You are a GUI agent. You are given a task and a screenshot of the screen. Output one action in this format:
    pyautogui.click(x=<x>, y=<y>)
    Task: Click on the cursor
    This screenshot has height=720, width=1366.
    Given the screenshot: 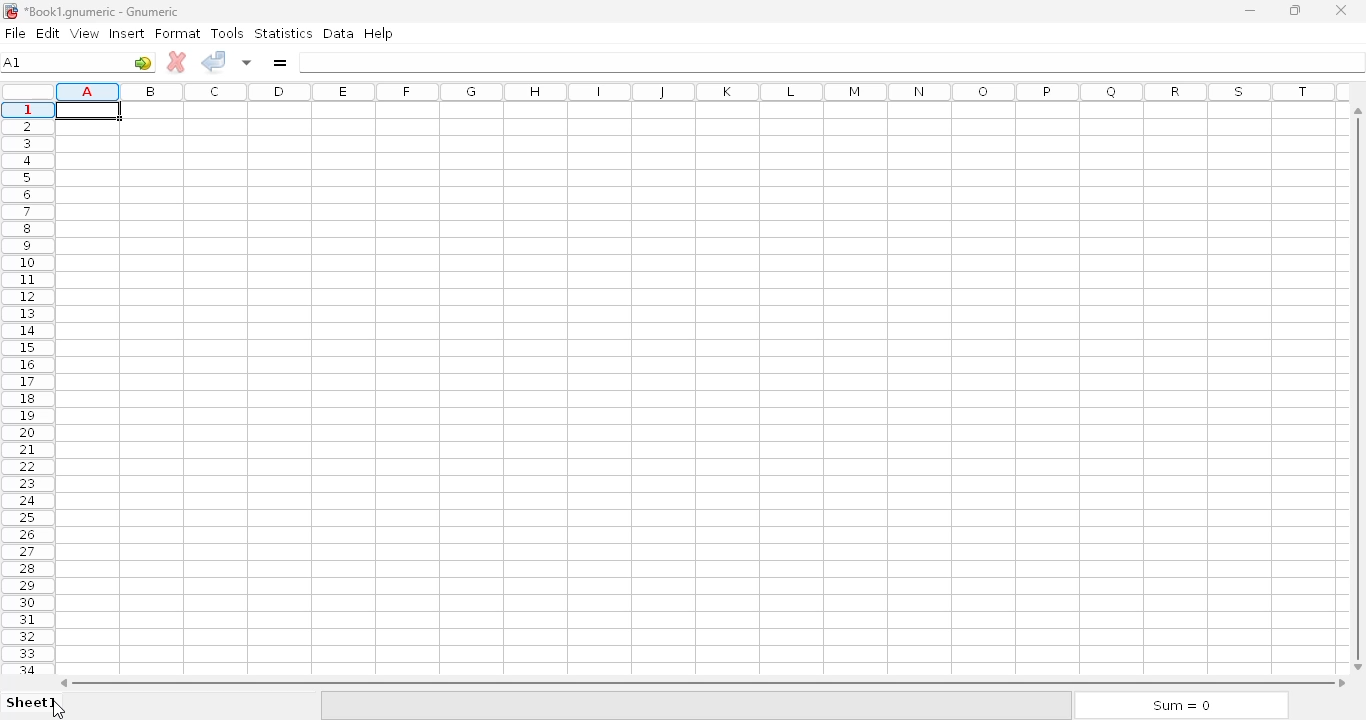 What is the action you would take?
    pyautogui.click(x=59, y=710)
    